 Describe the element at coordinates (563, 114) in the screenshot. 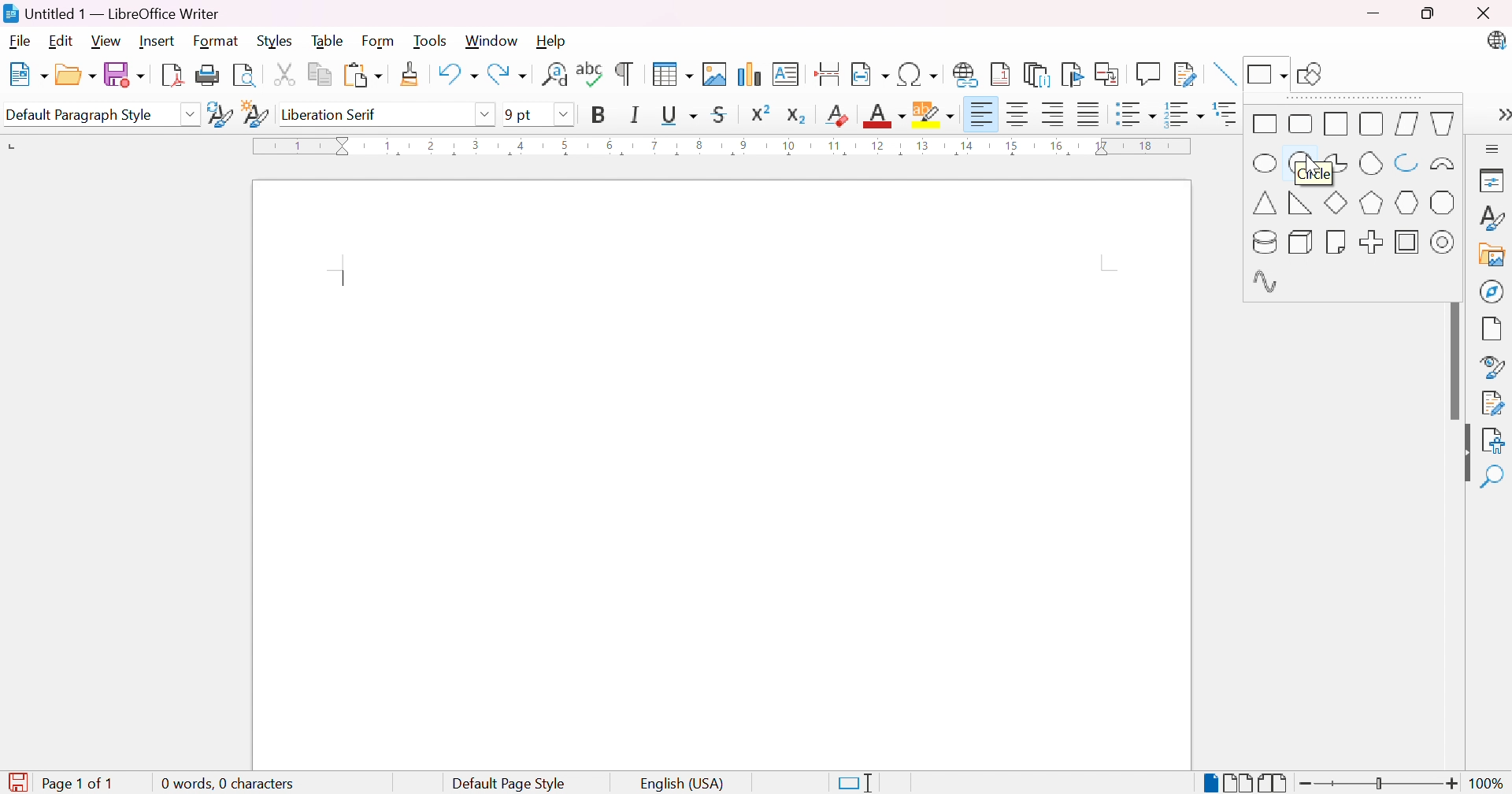

I see `Drop down` at that location.